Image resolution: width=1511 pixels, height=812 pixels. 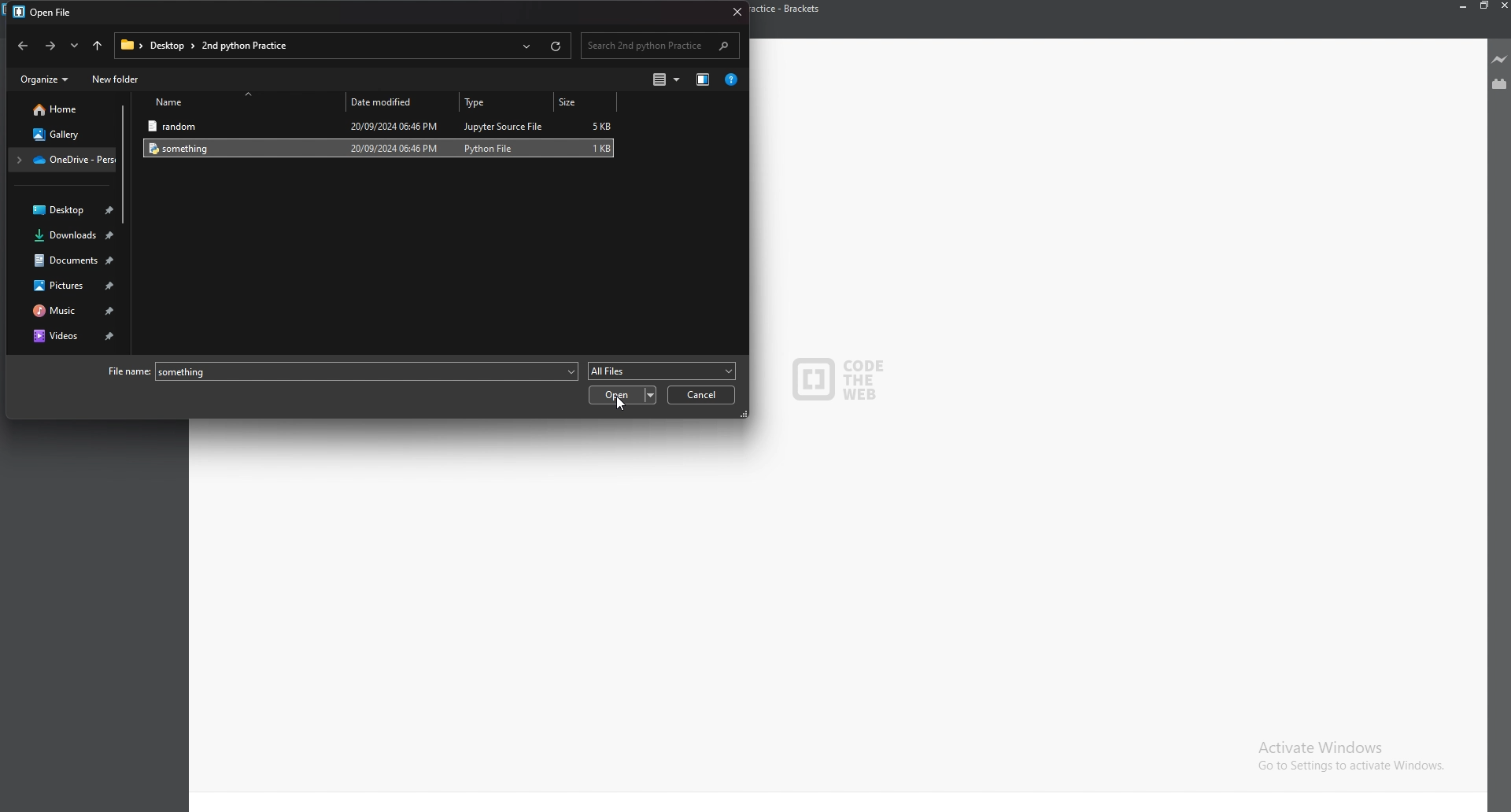 I want to click on open file, so click(x=46, y=14).